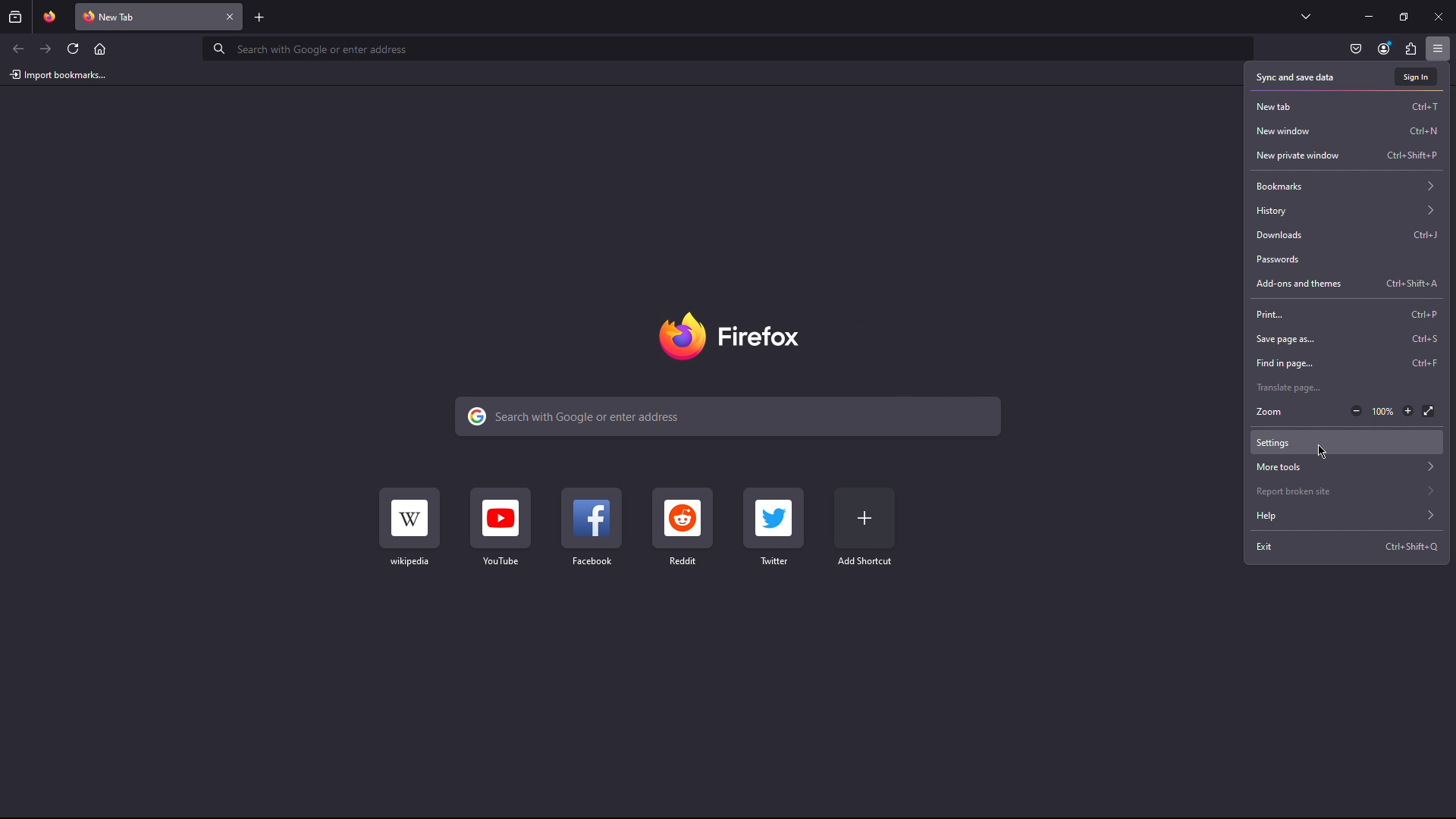 The width and height of the screenshot is (1456, 819). I want to click on Report broken site, so click(1346, 491).